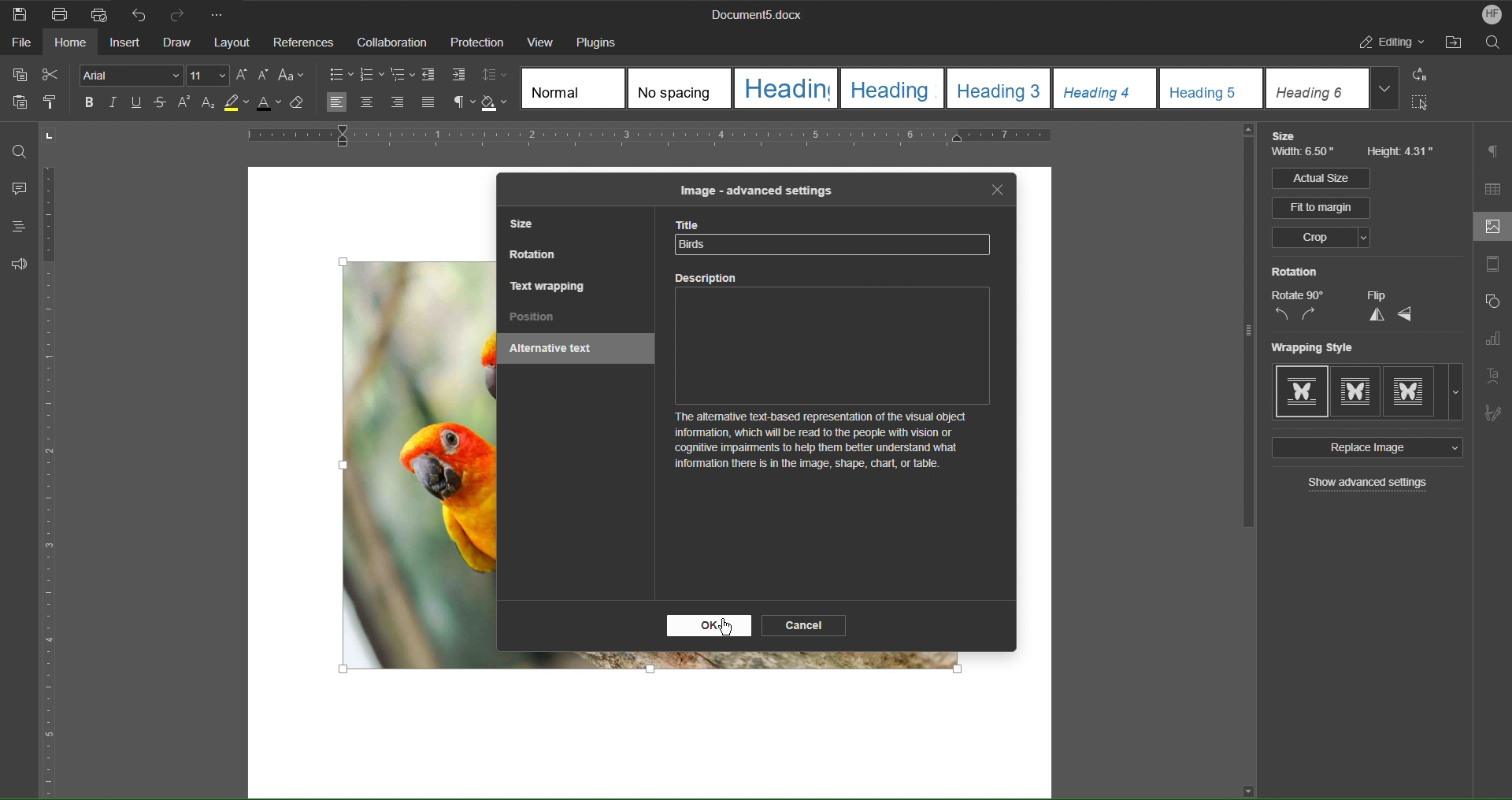 The width and height of the screenshot is (1512, 800). Describe the element at coordinates (61, 14) in the screenshot. I see `Print` at that location.